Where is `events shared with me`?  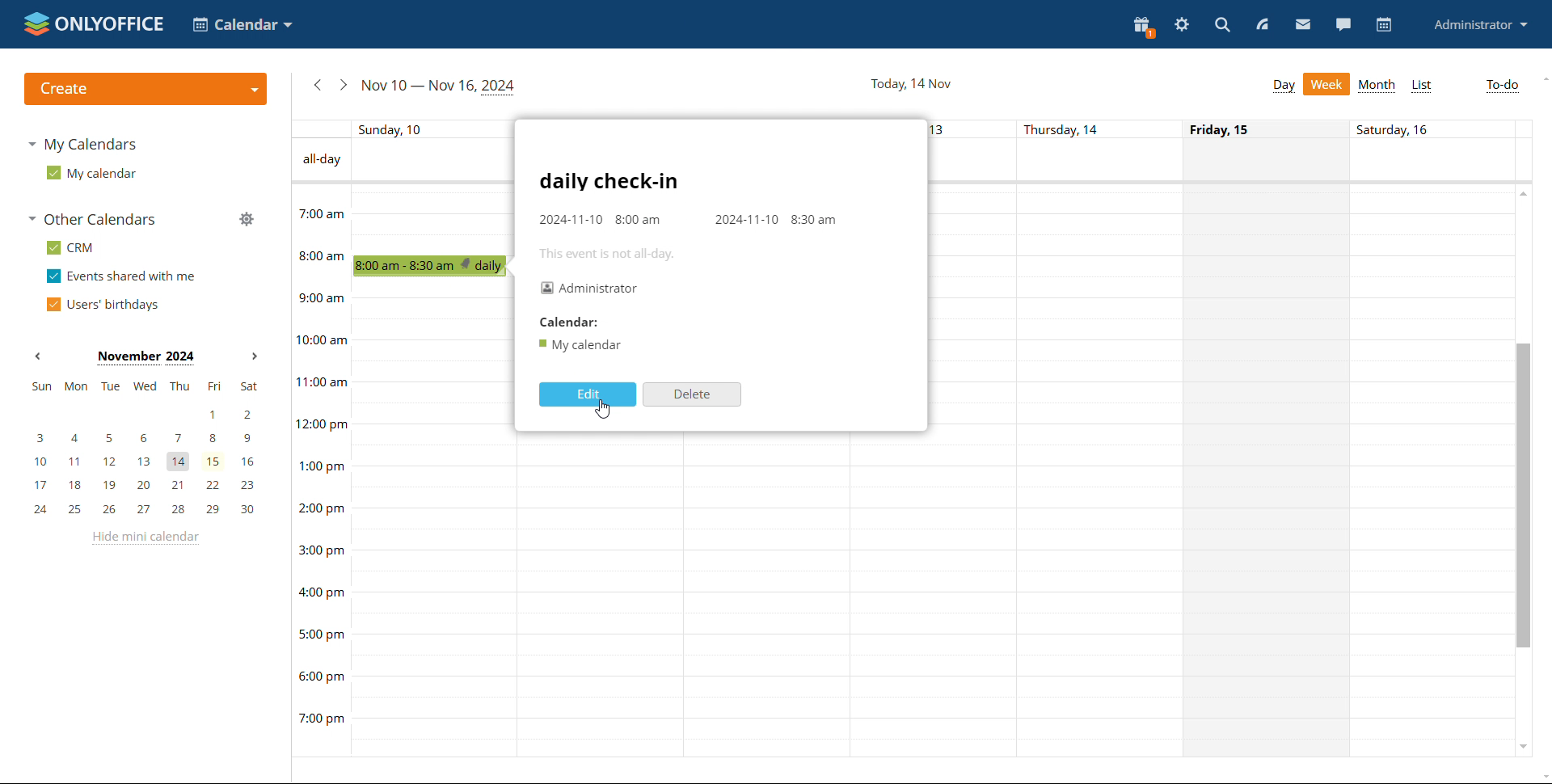 events shared with me is located at coordinates (121, 276).